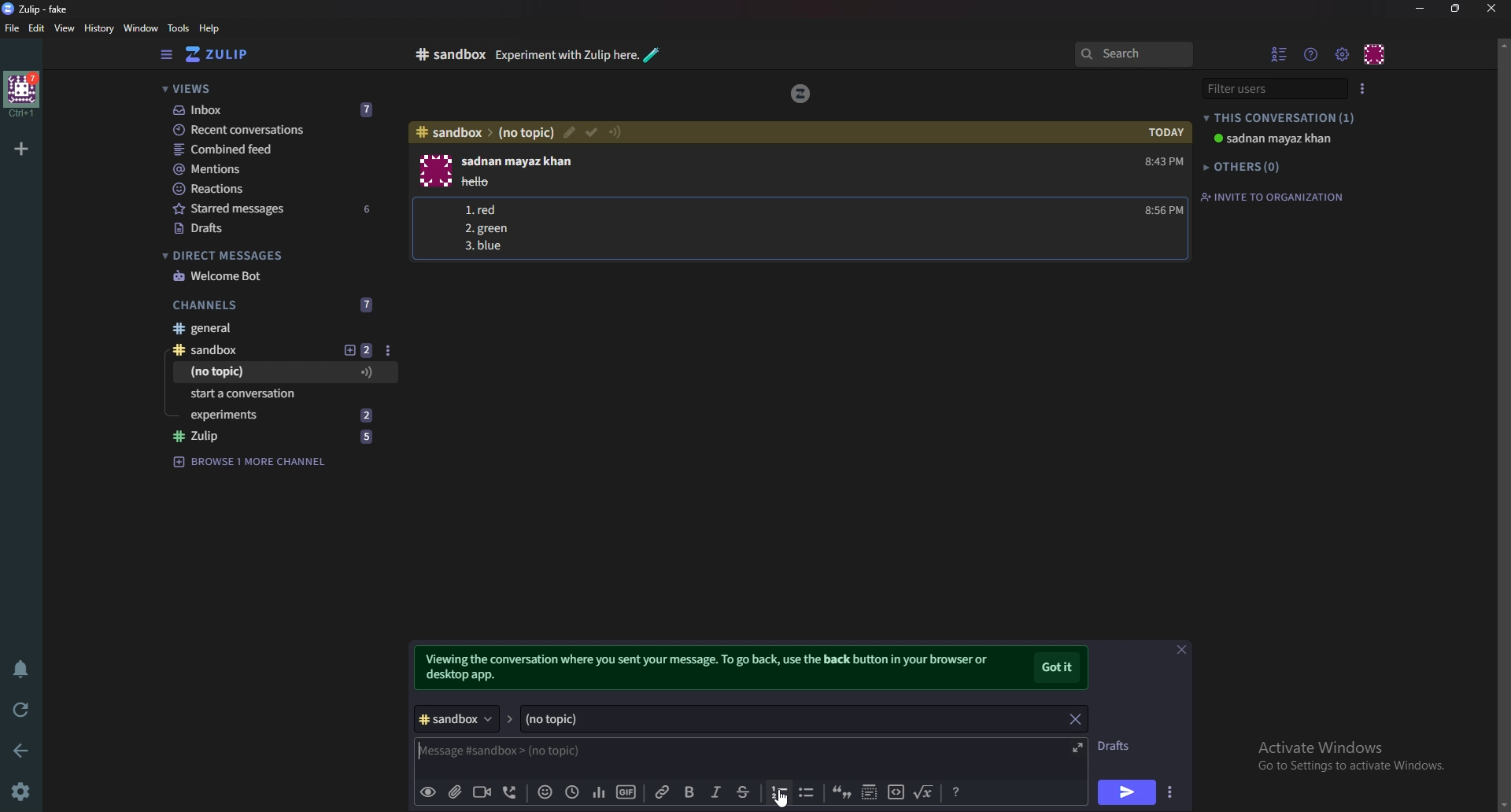  Describe the element at coordinates (482, 133) in the screenshot. I see `path` at that location.